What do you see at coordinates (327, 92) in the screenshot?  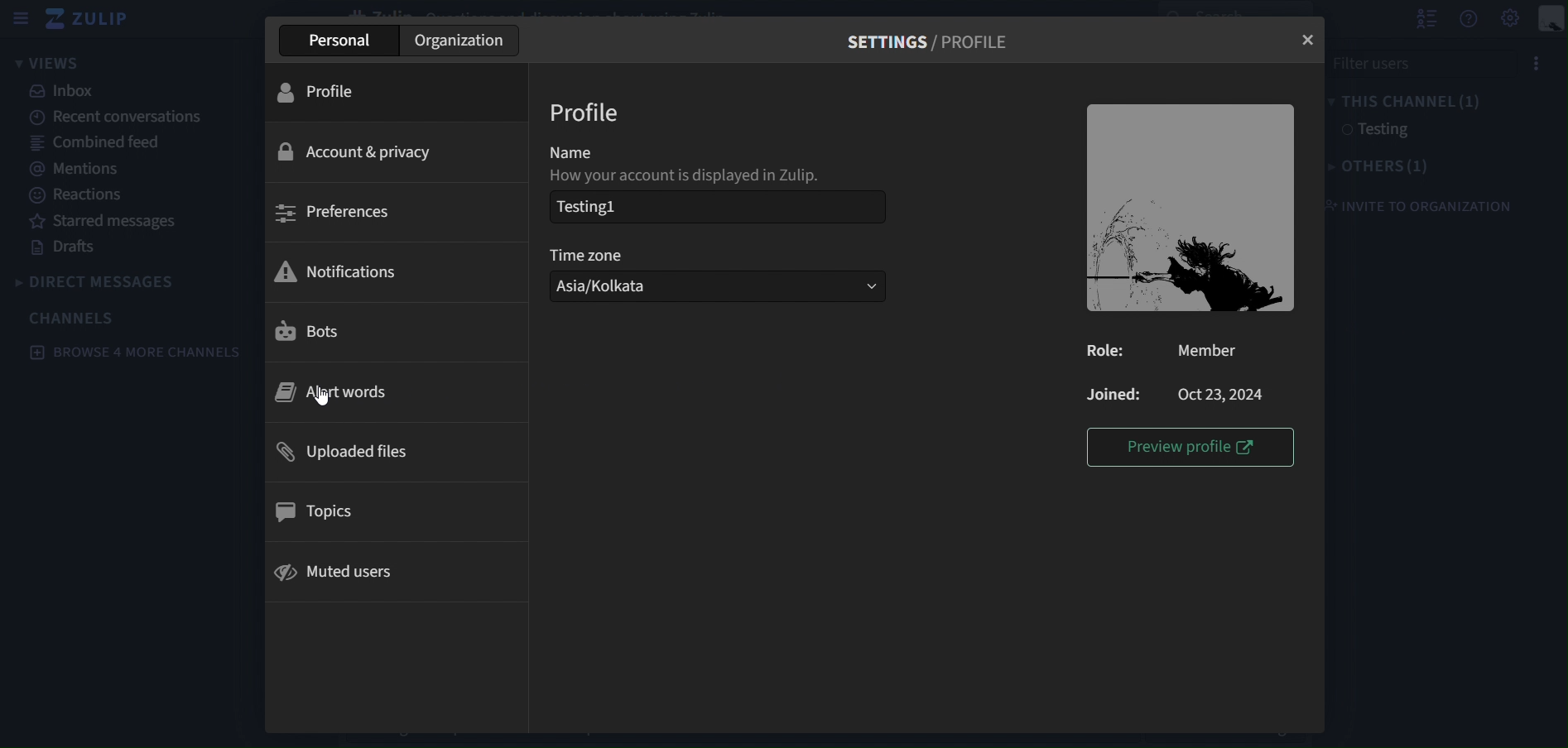 I see `profile` at bounding box center [327, 92].